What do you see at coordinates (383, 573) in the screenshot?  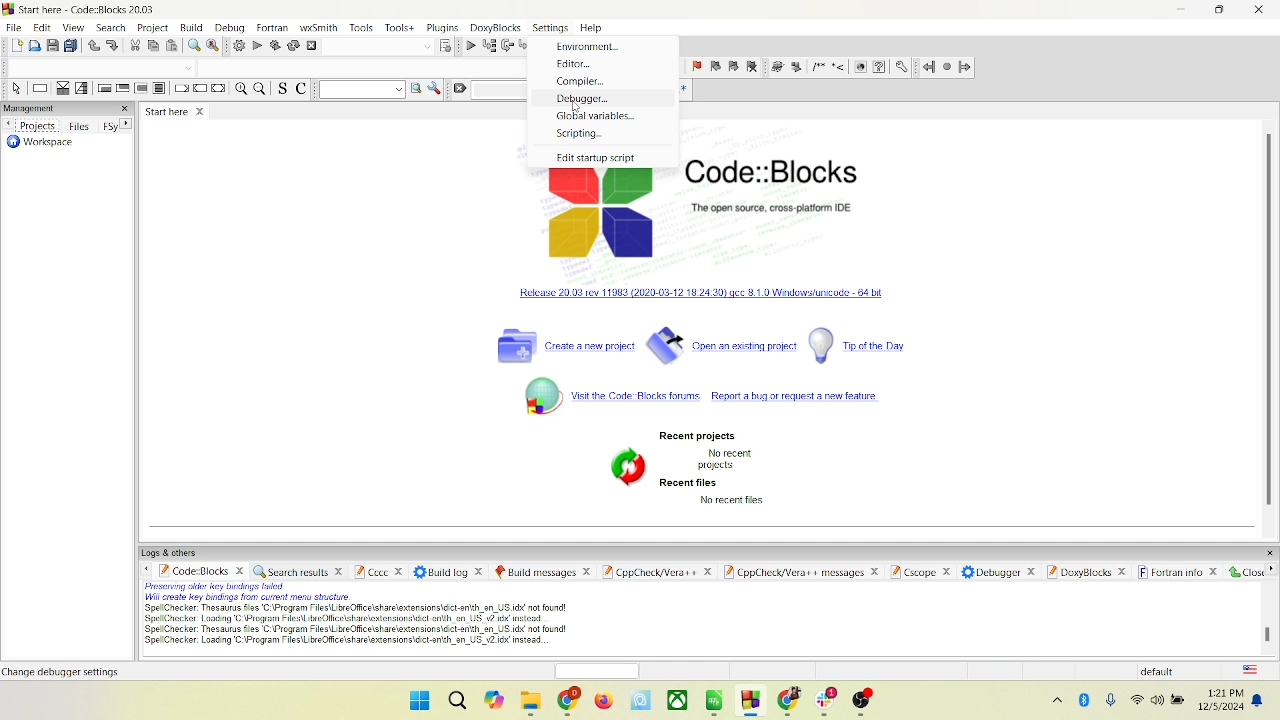 I see `Cccc` at bounding box center [383, 573].